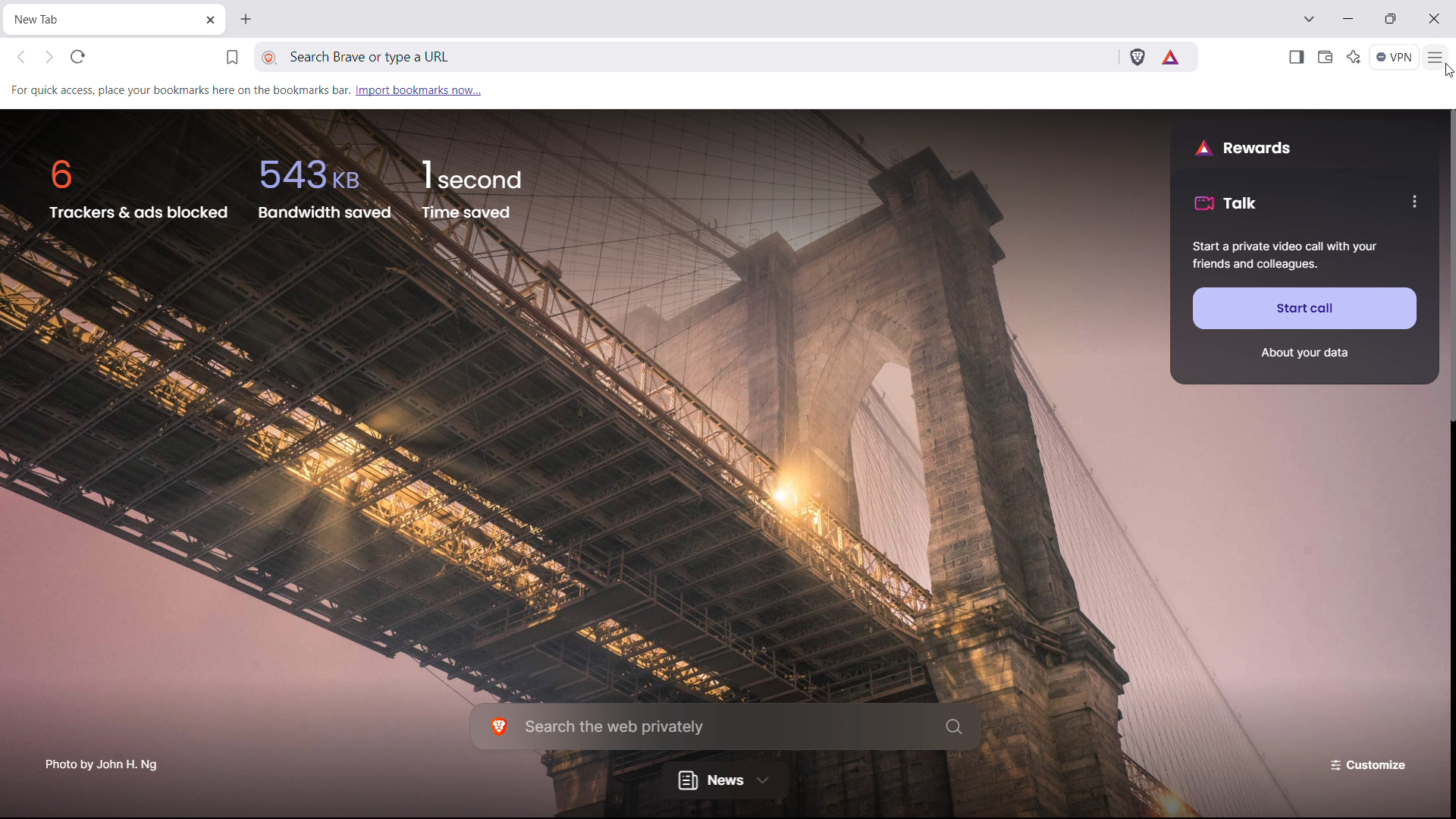 The height and width of the screenshot is (819, 1456). What do you see at coordinates (1304, 353) in the screenshot?
I see `about your data` at bounding box center [1304, 353].